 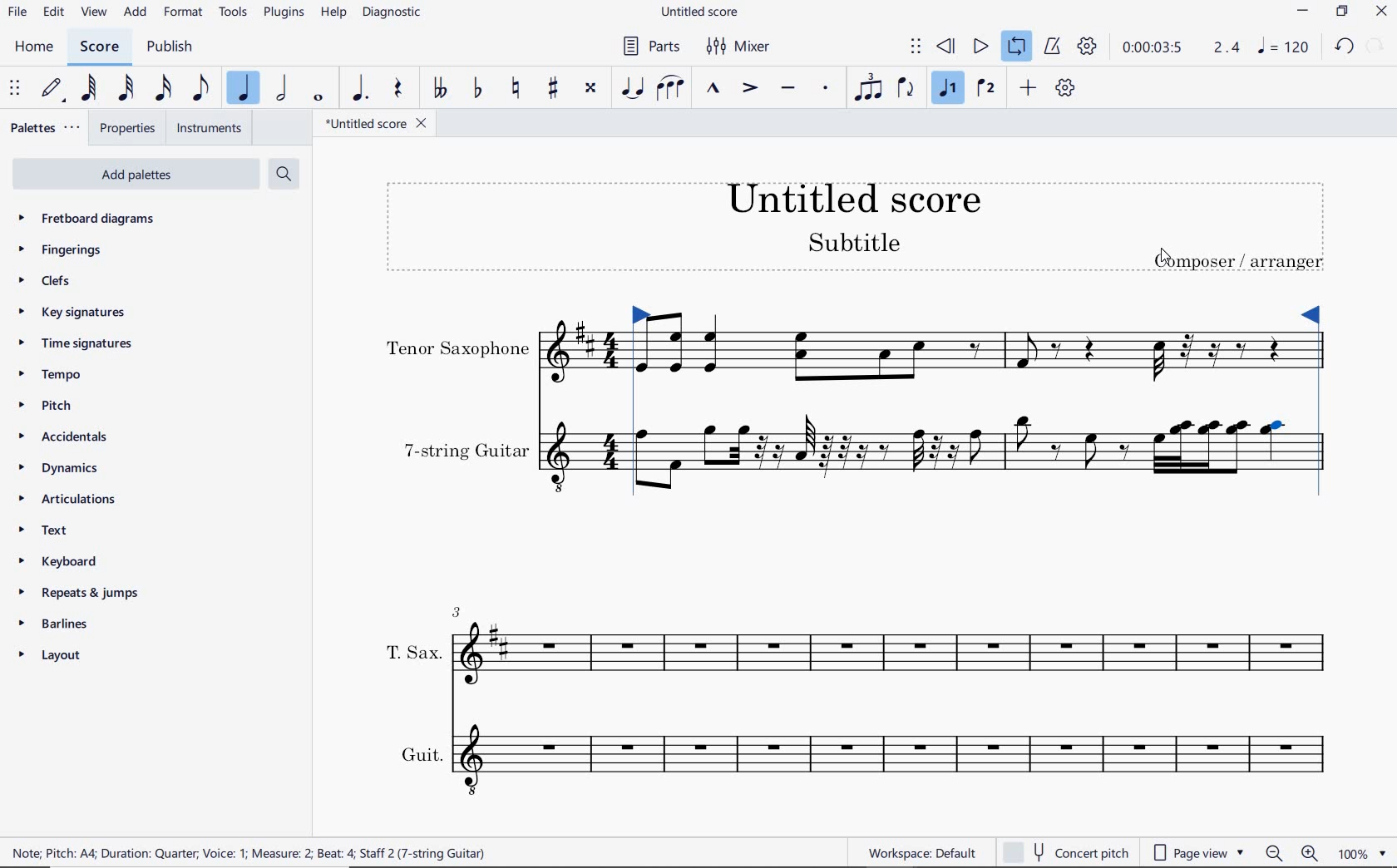 I want to click on zoom factor, so click(x=1356, y=854).